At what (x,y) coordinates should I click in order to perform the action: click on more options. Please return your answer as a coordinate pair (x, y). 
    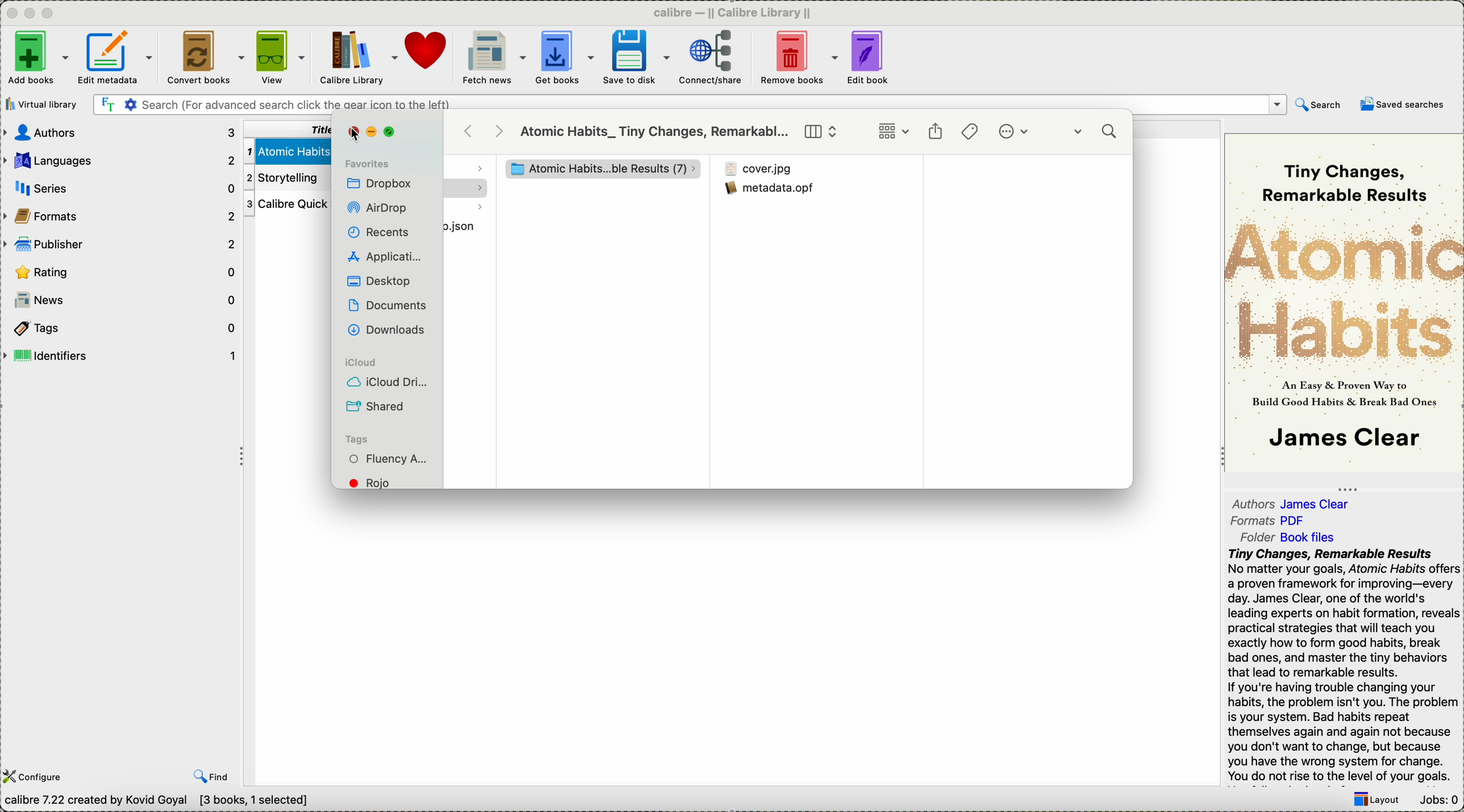
    Looking at the image, I should click on (1017, 132).